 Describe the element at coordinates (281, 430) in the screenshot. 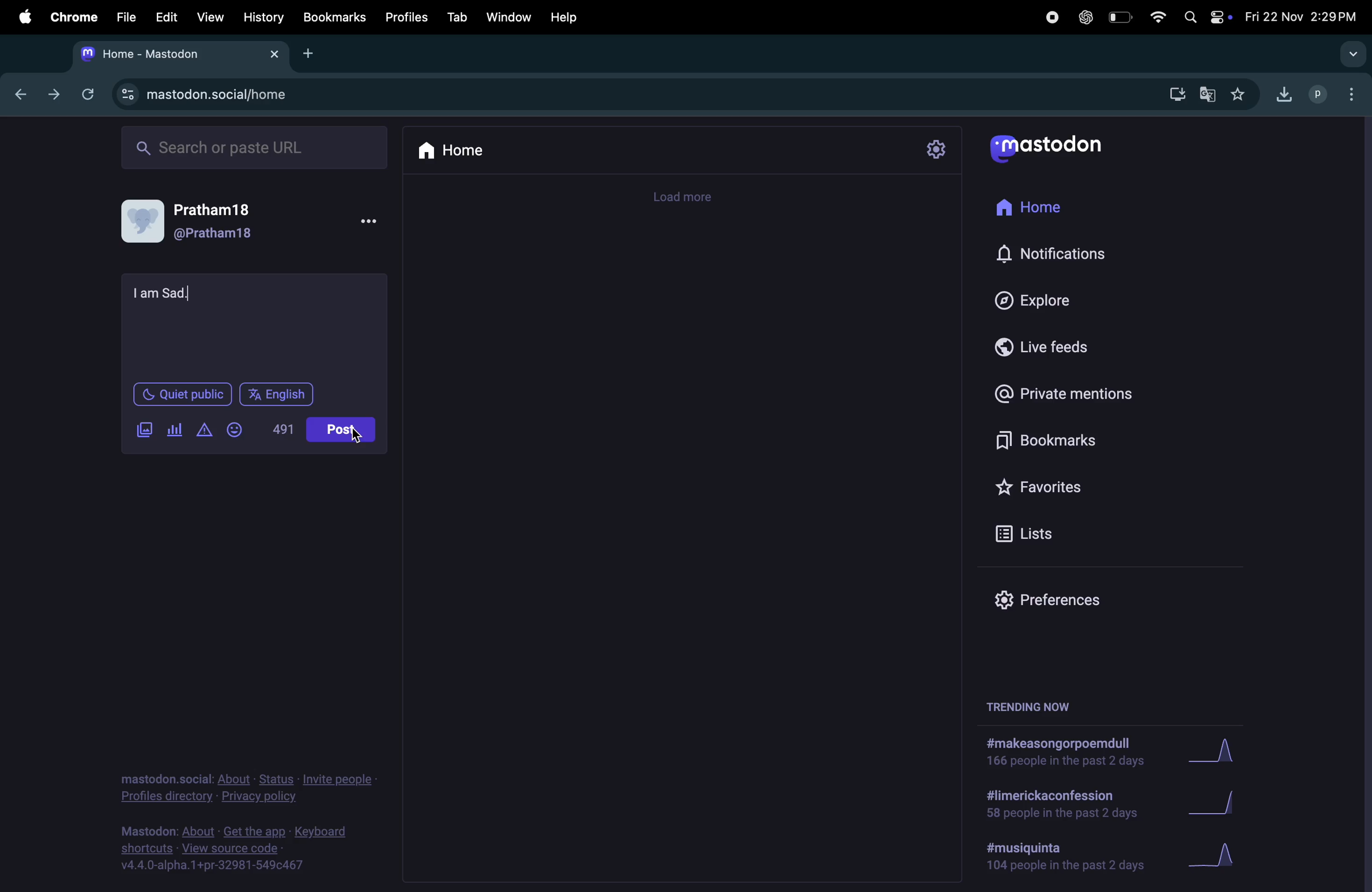

I see `line of words` at that location.